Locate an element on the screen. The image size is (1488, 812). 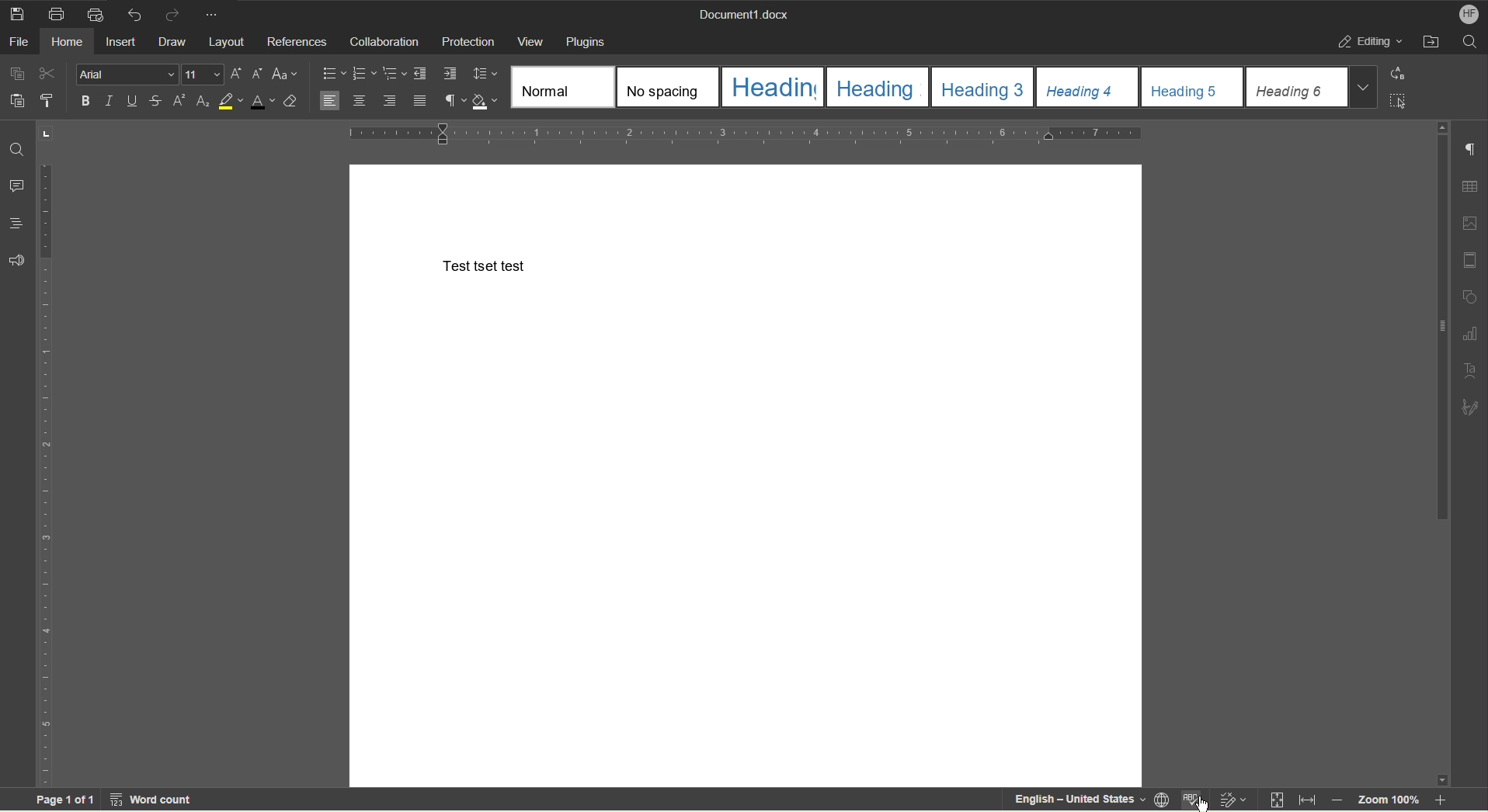
Font Size is located at coordinates (203, 75).